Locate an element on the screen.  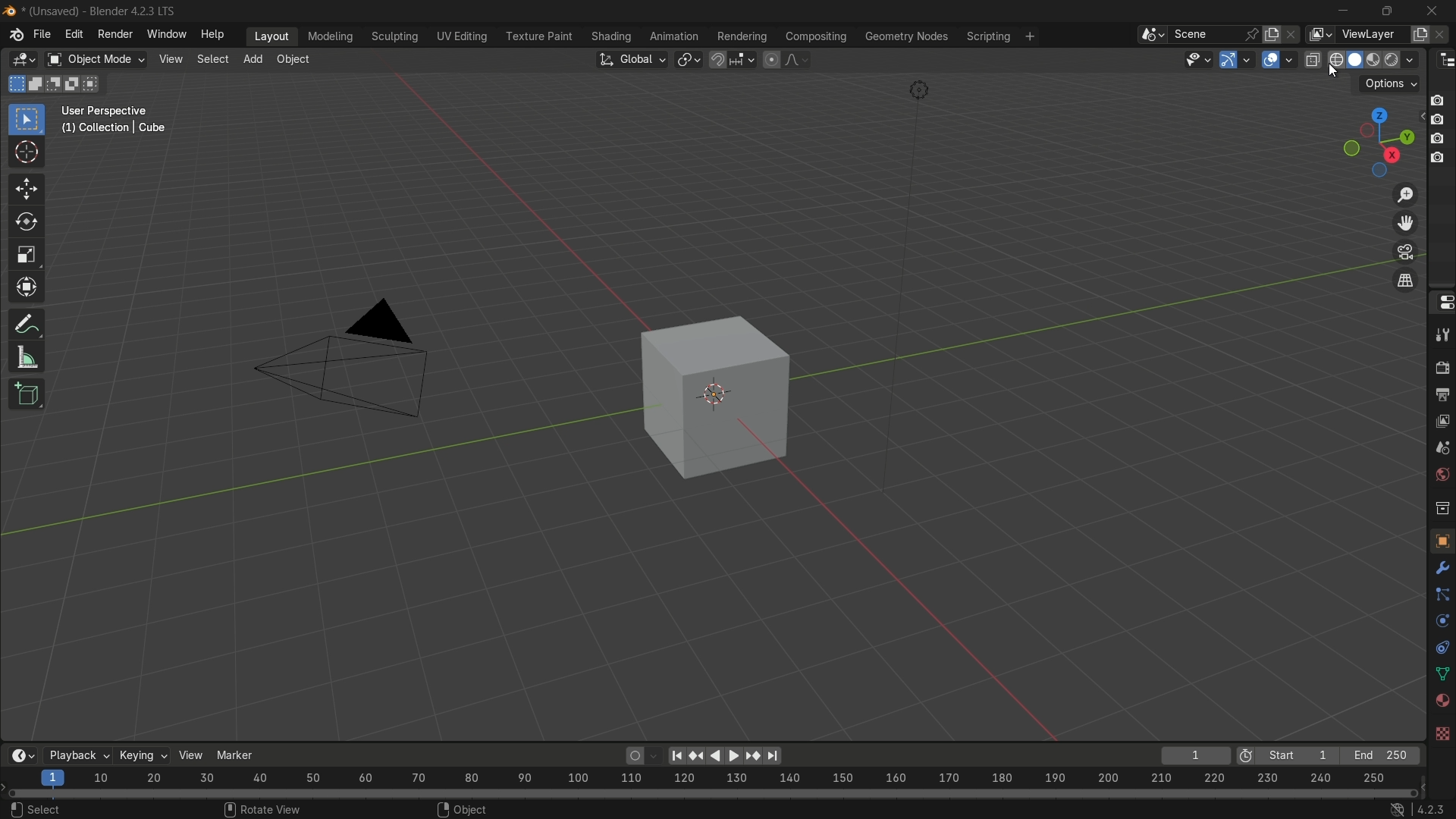
rendering menu is located at coordinates (742, 36).